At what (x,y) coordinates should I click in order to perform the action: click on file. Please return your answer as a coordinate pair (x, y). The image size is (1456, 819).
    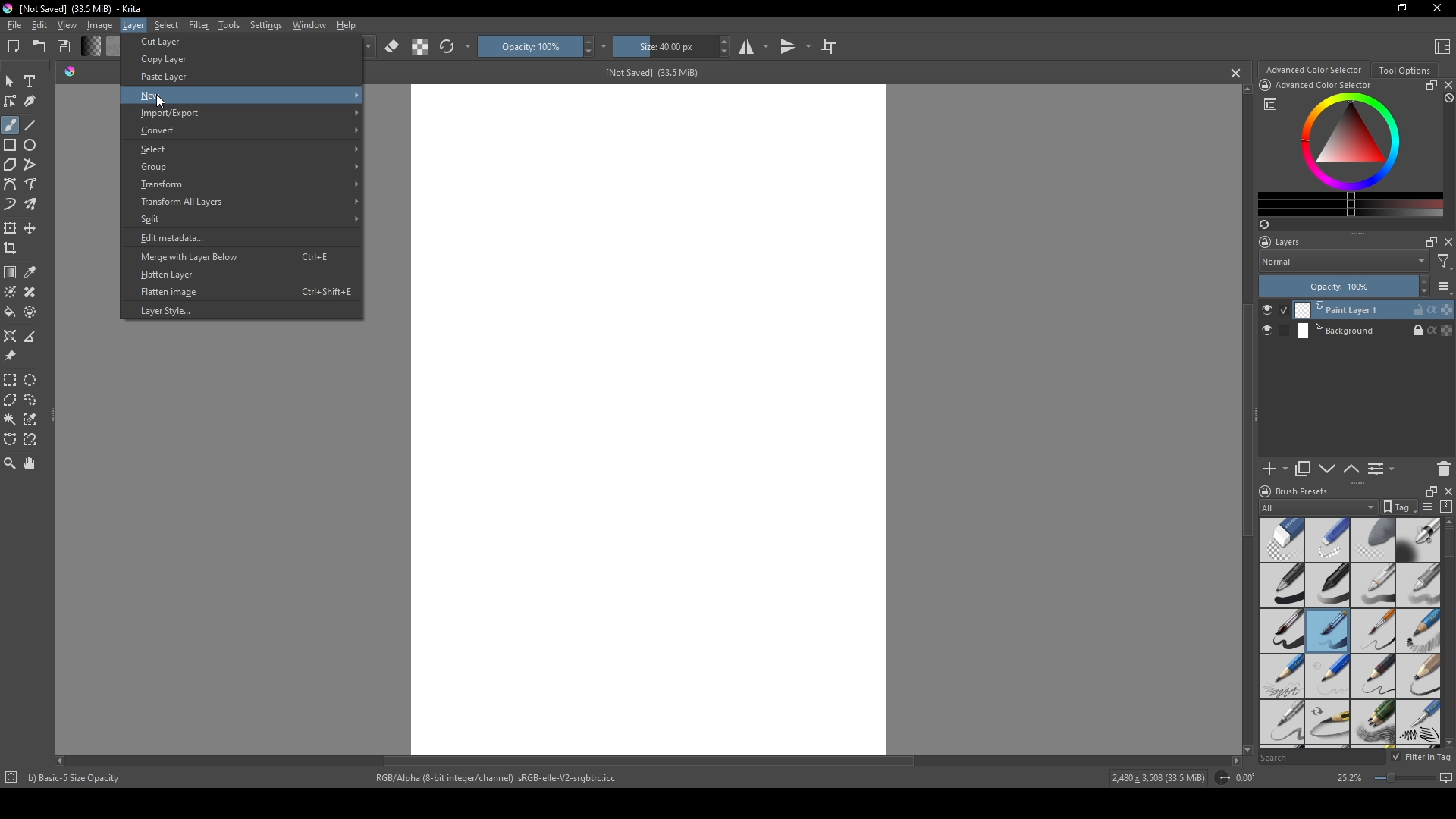
    Looking at the image, I should click on (14, 26).